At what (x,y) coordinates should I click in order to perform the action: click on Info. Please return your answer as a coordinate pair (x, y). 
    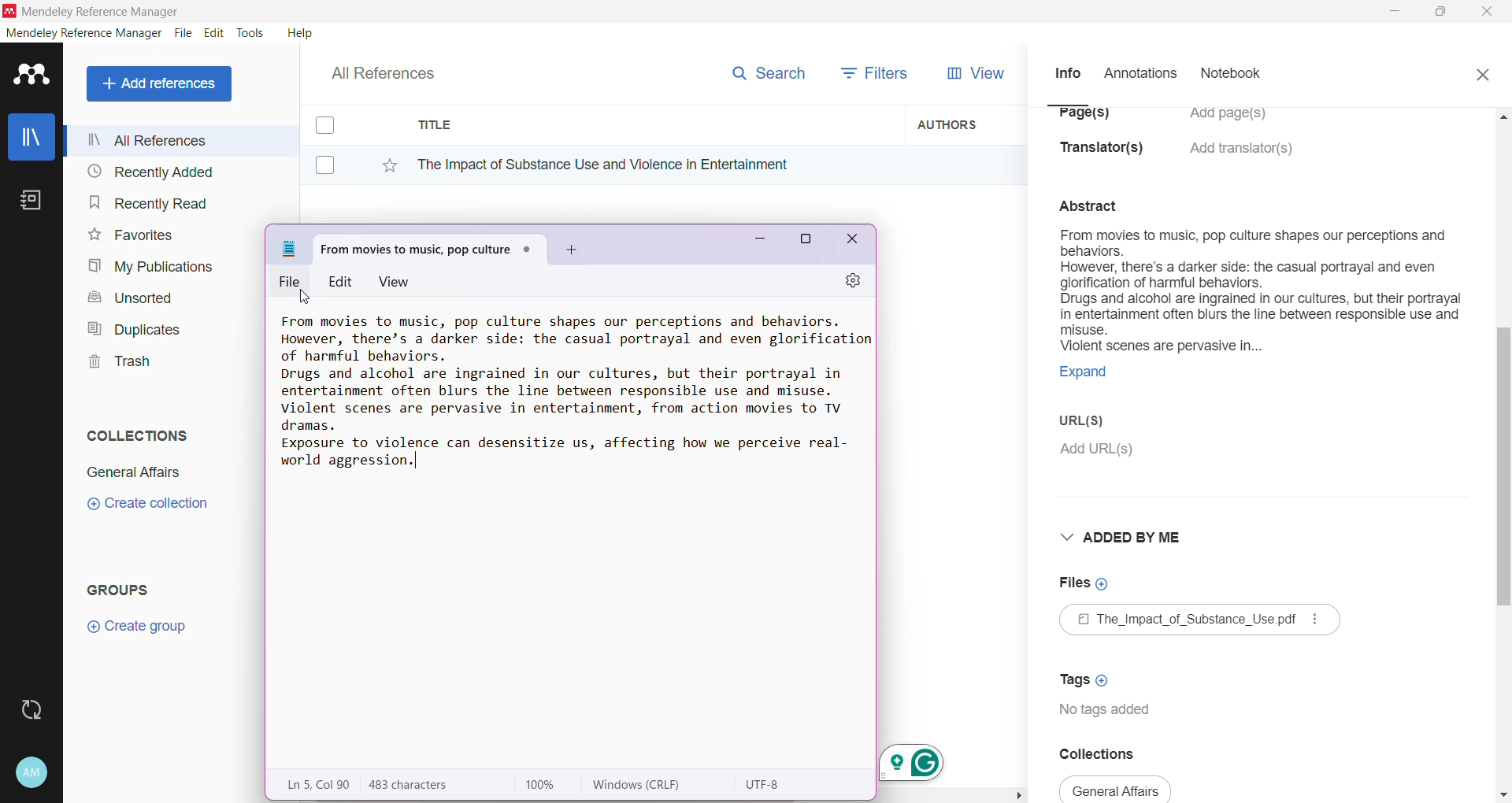
    Looking at the image, I should click on (1067, 72).